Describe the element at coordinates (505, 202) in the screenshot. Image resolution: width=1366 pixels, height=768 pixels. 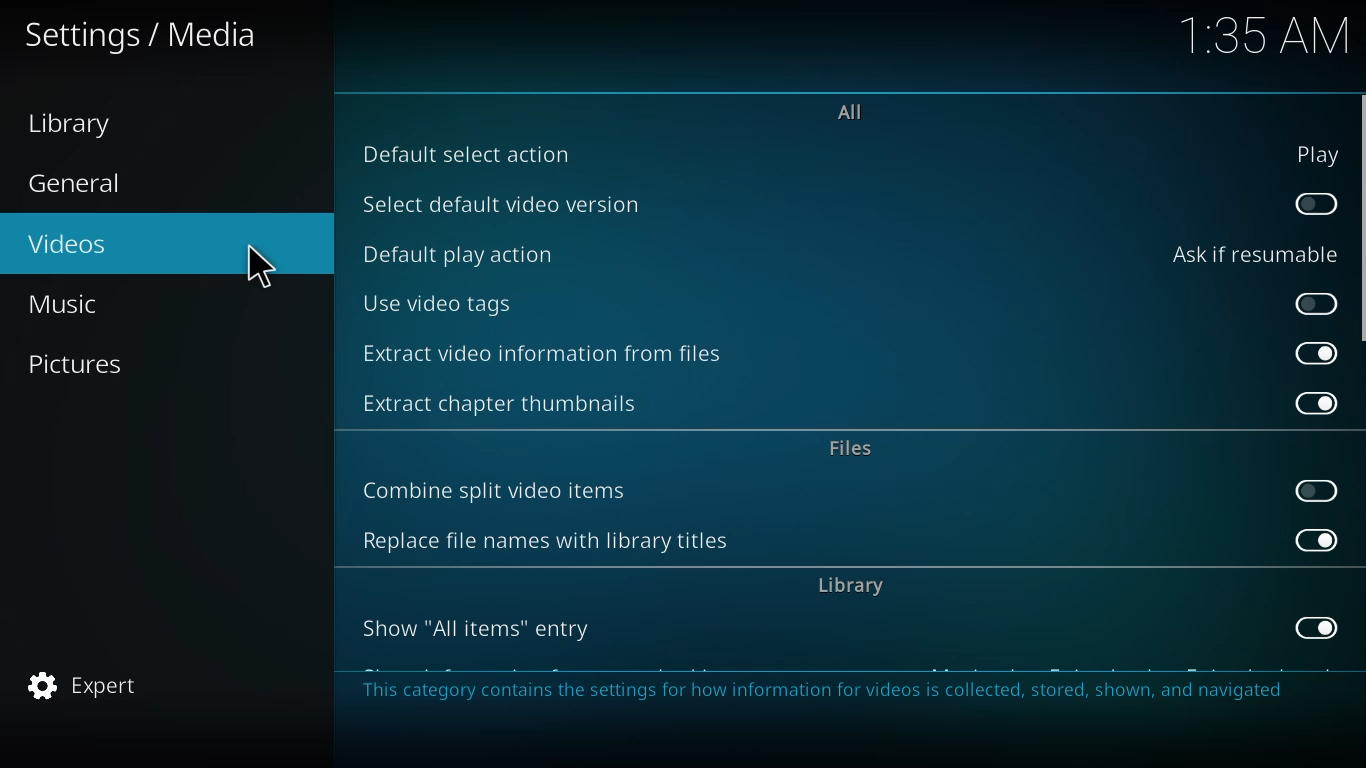
I see `select default video version` at that location.